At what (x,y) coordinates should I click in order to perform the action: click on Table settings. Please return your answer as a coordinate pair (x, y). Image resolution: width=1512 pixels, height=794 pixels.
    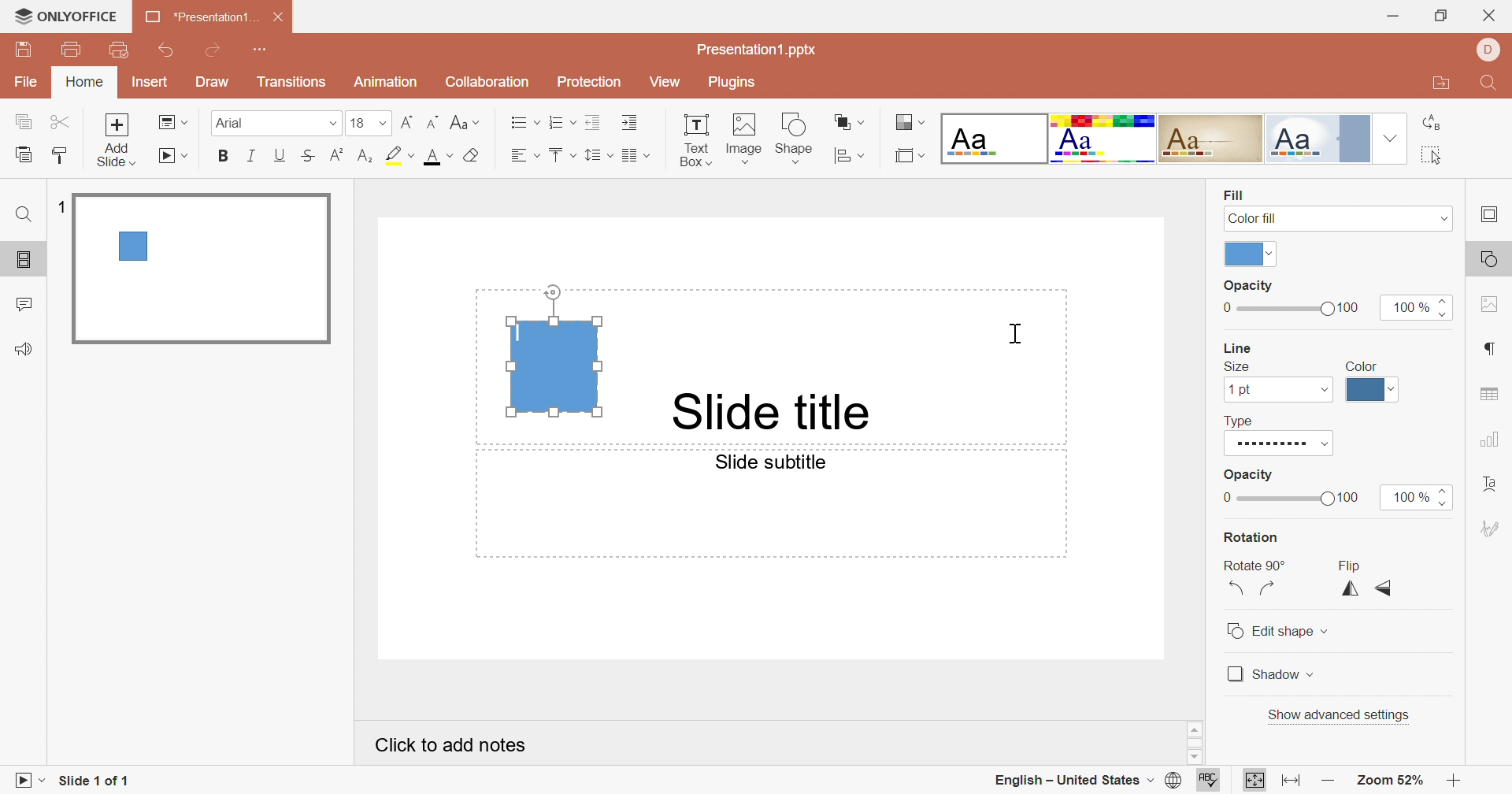
    Looking at the image, I should click on (1490, 393).